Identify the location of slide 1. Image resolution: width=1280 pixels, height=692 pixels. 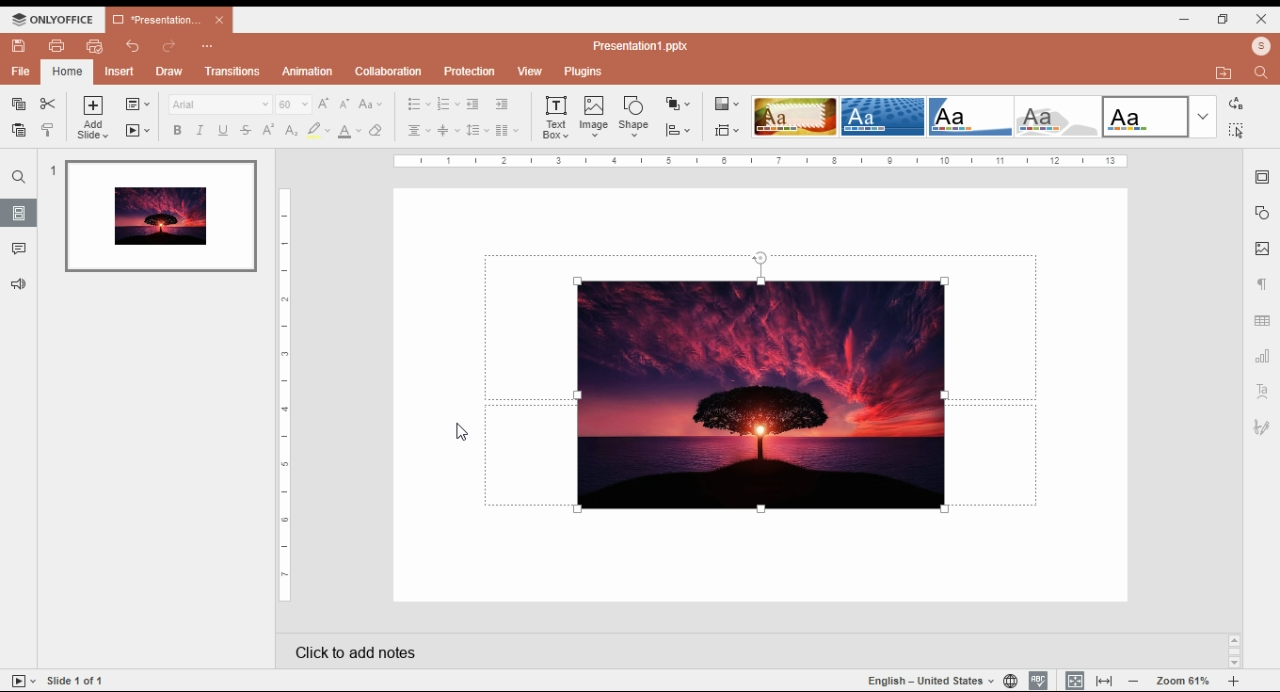
(158, 218).